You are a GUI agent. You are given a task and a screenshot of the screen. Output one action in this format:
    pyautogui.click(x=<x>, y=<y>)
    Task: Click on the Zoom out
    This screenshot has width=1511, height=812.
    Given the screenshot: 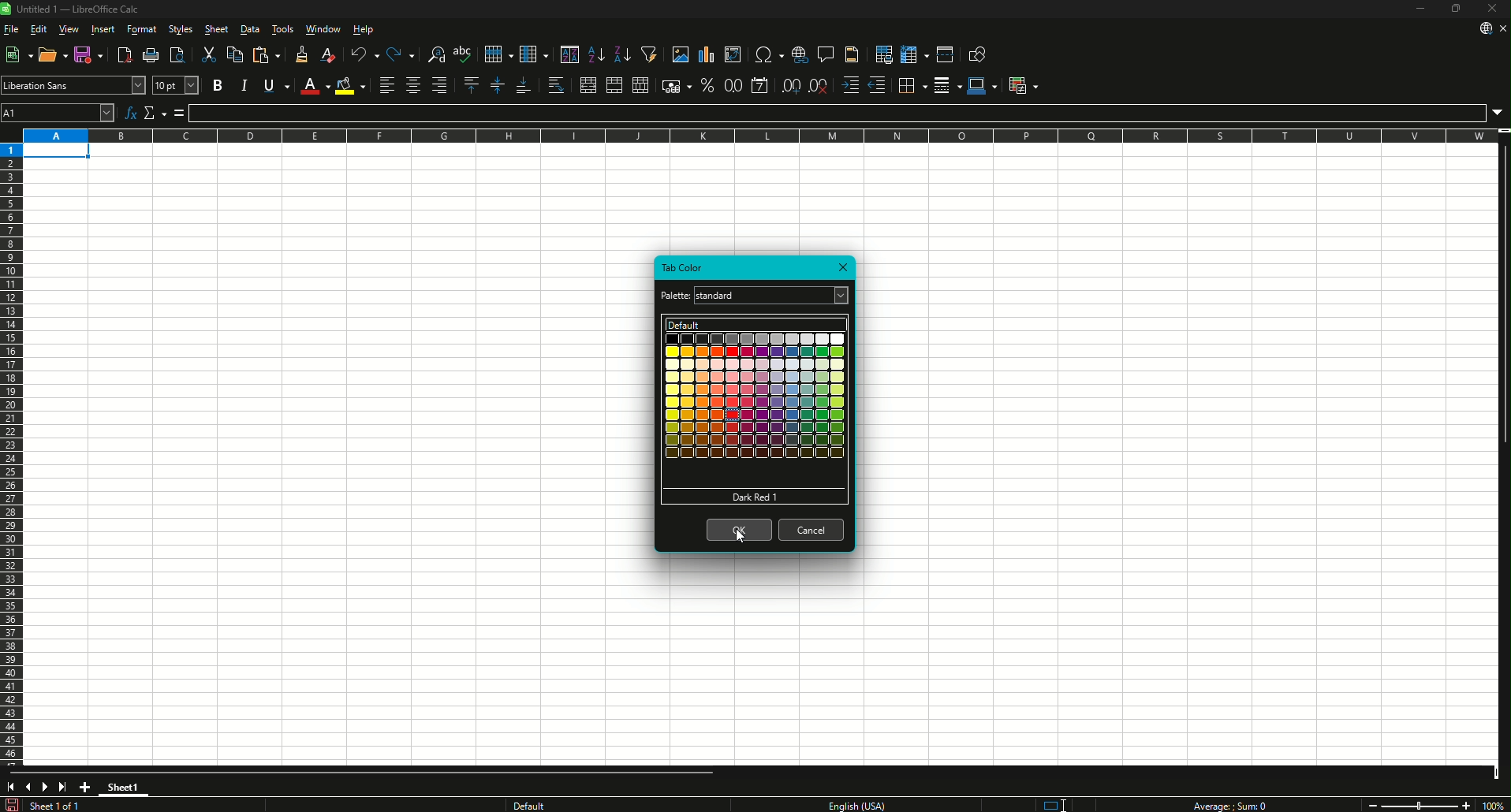 What is the action you would take?
    pyautogui.click(x=1372, y=806)
    